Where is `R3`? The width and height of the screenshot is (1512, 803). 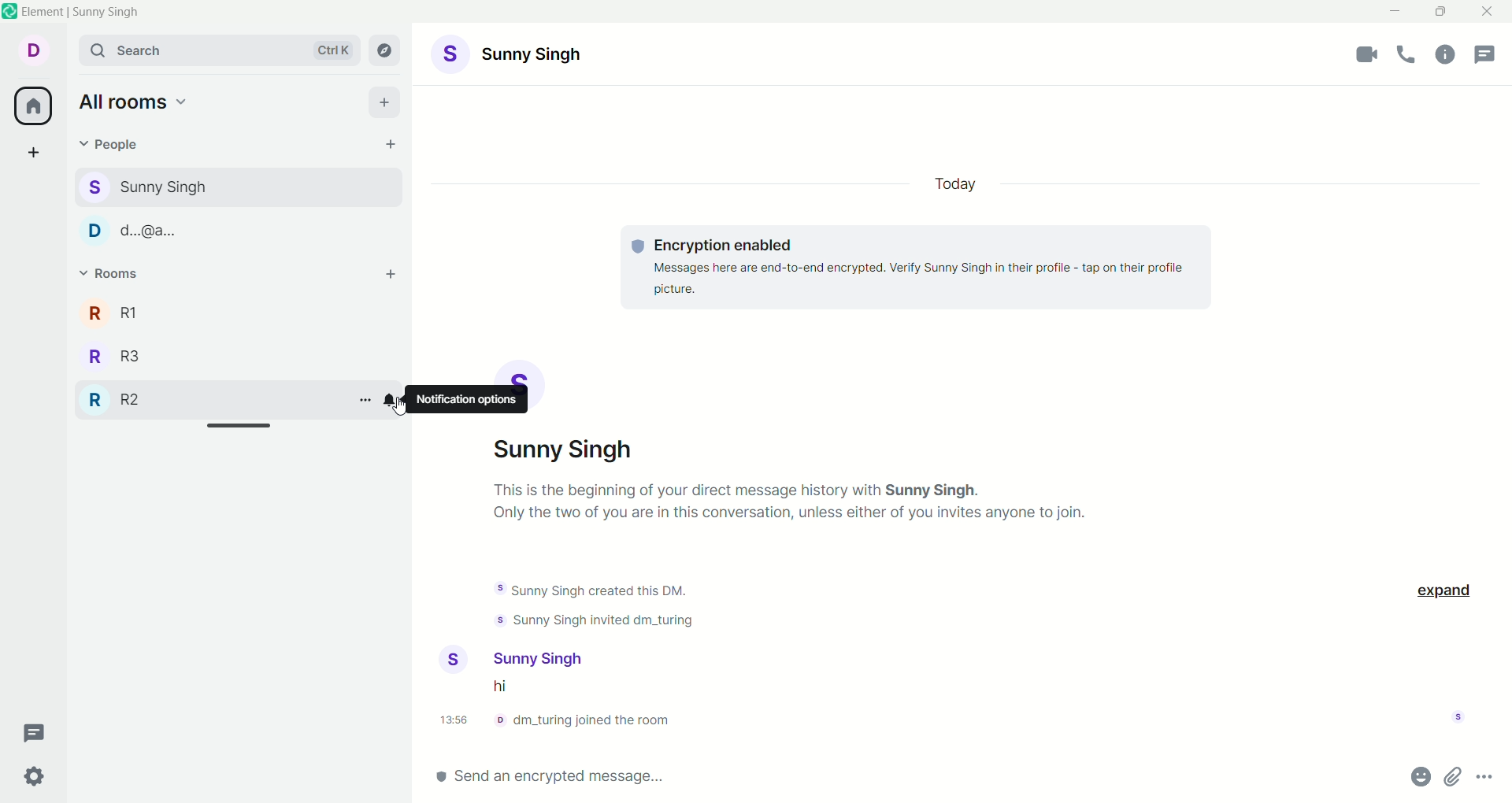
R3 is located at coordinates (116, 353).